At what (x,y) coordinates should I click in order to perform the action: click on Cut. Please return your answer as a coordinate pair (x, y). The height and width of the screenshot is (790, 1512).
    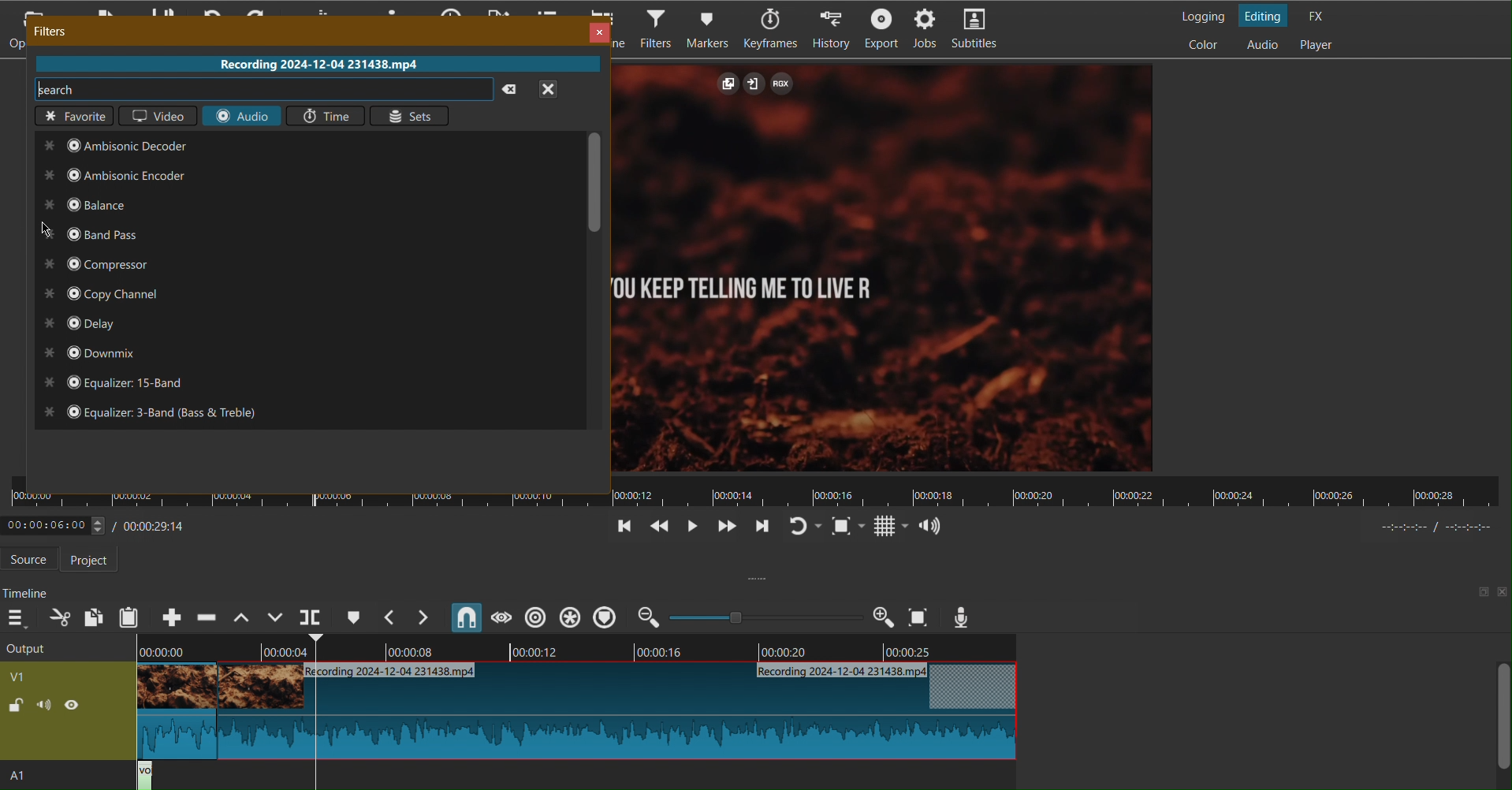
    Looking at the image, I should click on (59, 617).